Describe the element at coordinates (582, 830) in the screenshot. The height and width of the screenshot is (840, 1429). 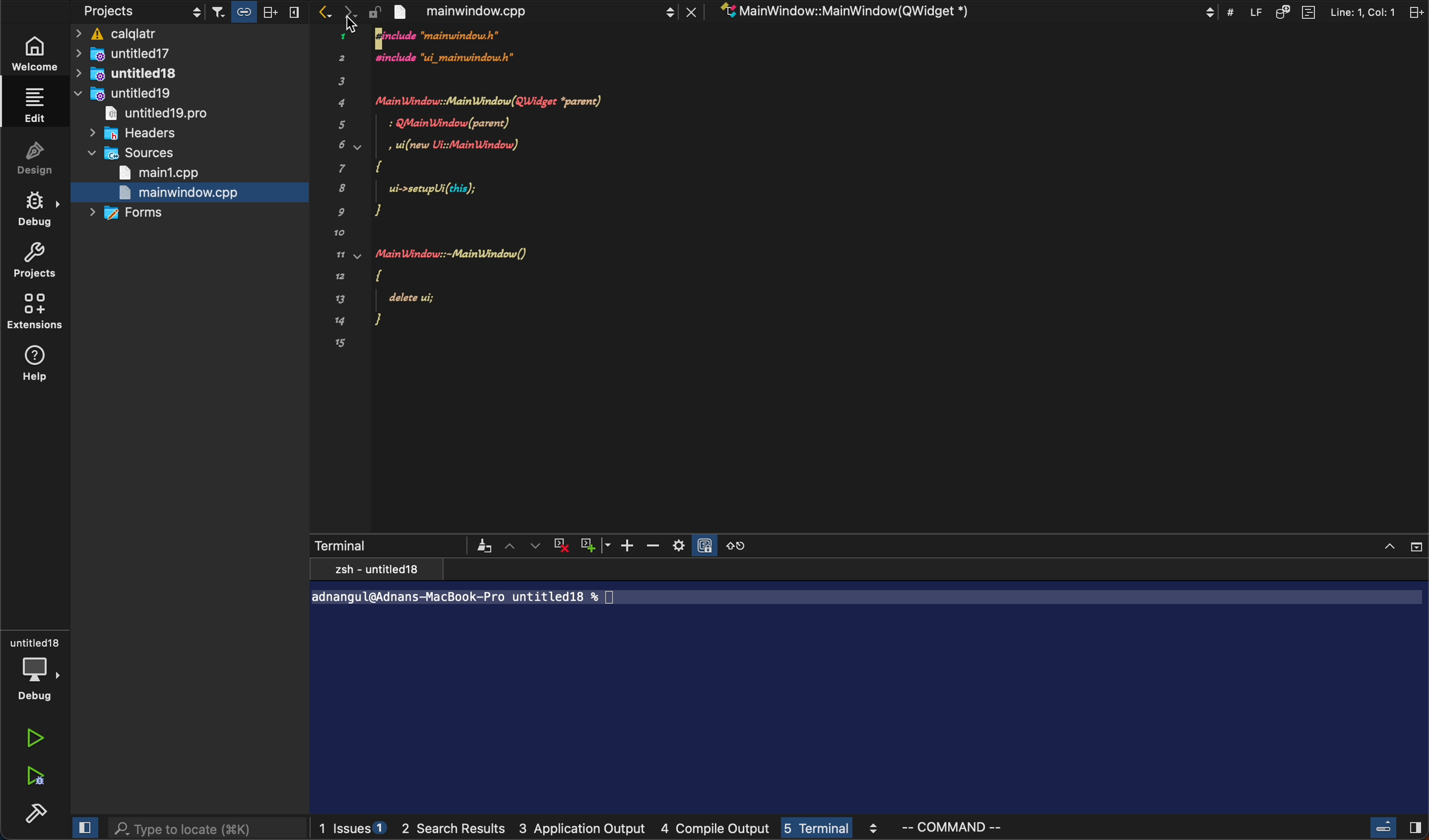
I see `application output` at that location.